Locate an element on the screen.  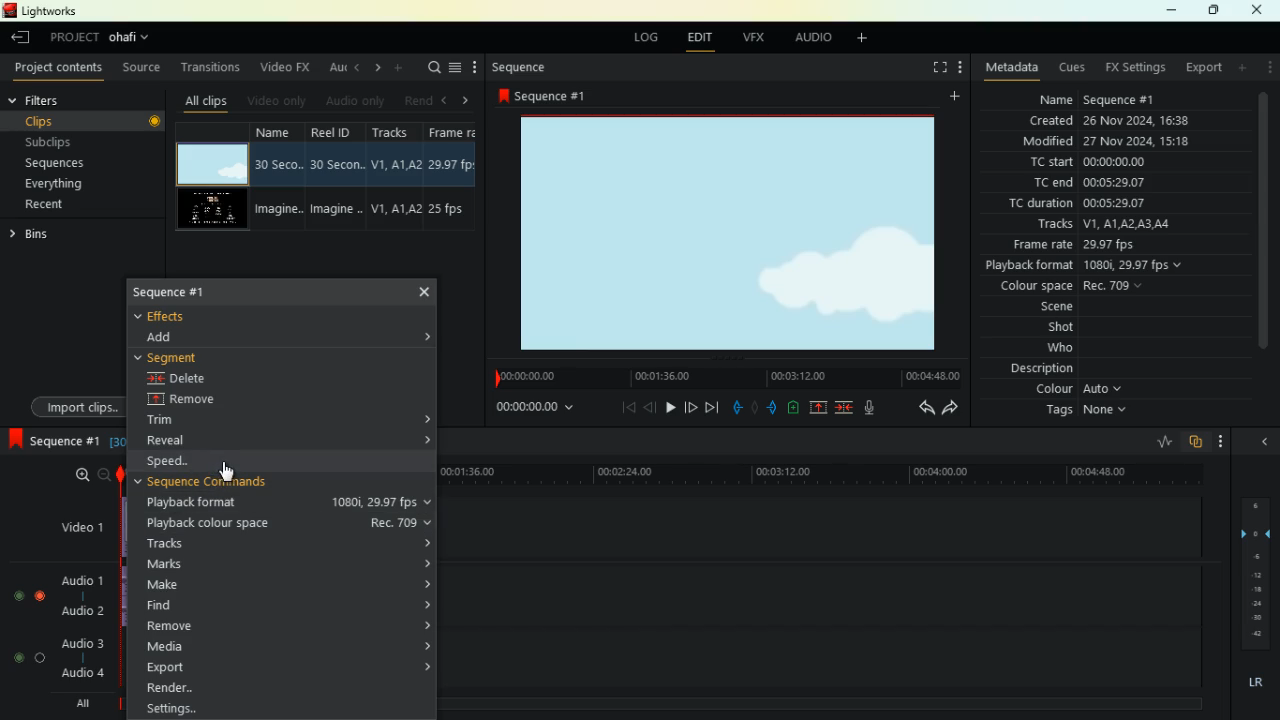
frame rate is located at coordinates (1075, 246).